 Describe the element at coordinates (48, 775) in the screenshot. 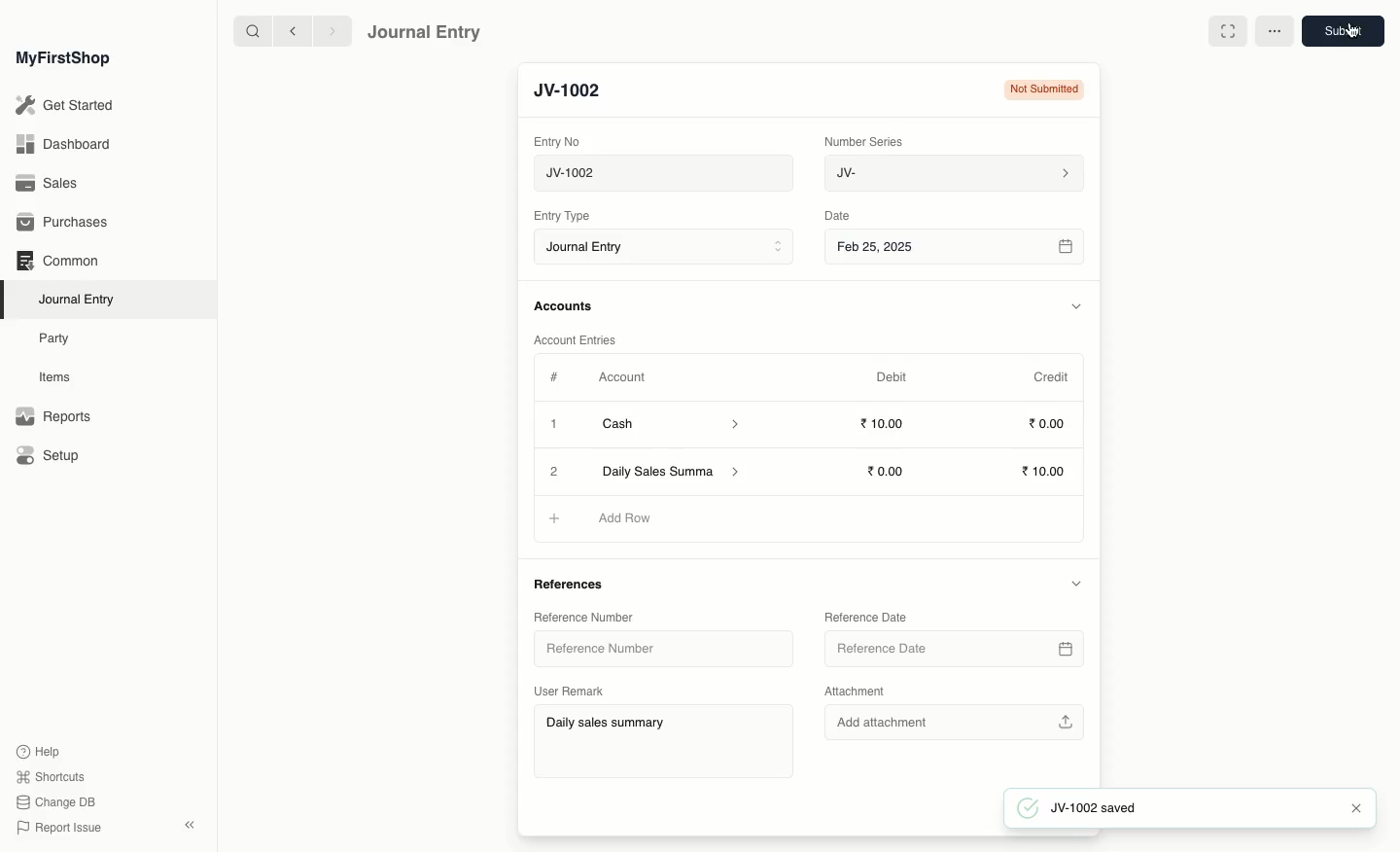

I see `Shortcuts` at that location.